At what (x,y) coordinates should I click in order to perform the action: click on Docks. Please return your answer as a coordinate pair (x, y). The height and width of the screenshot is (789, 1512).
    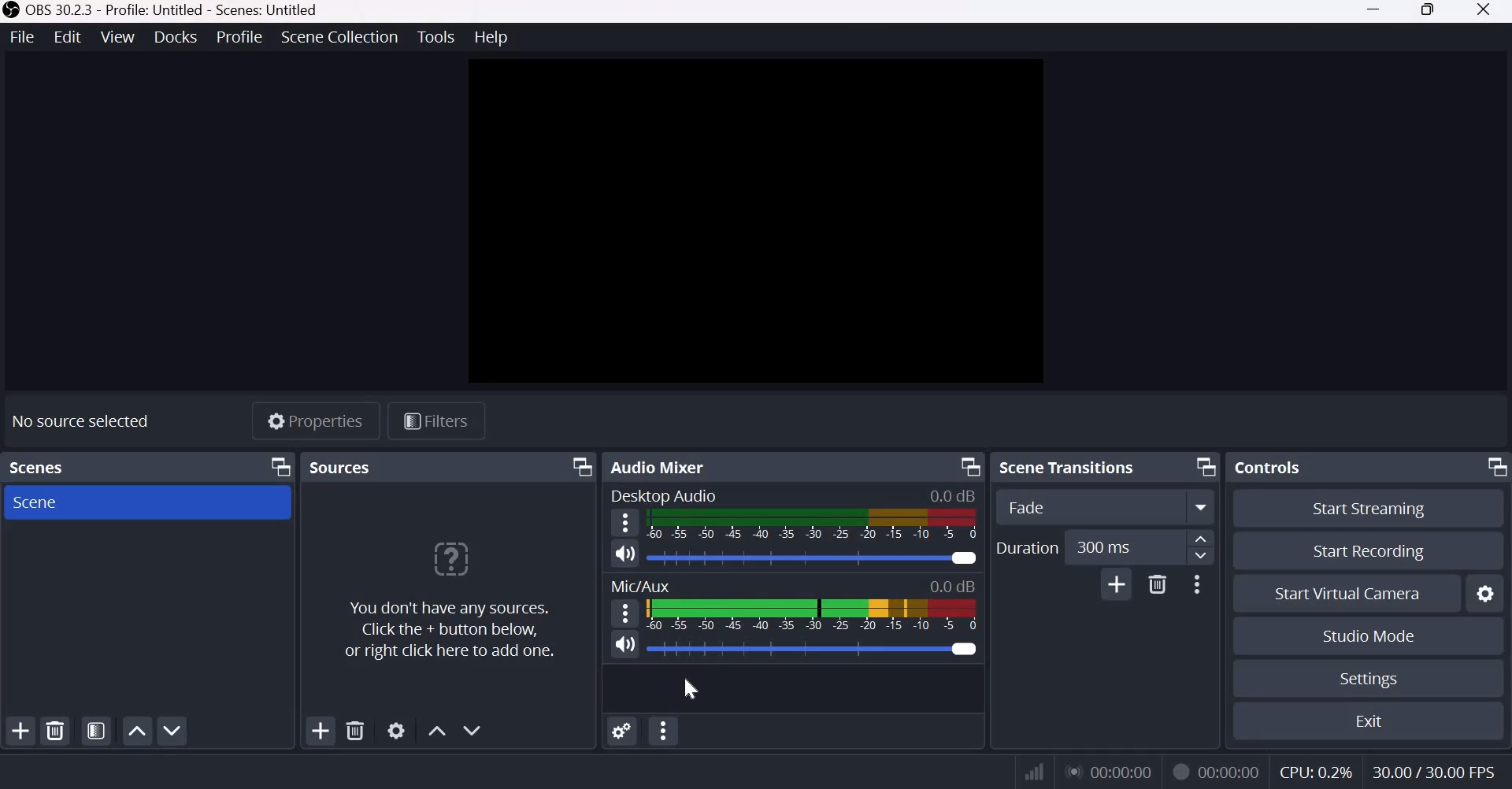
    Looking at the image, I should click on (178, 37).